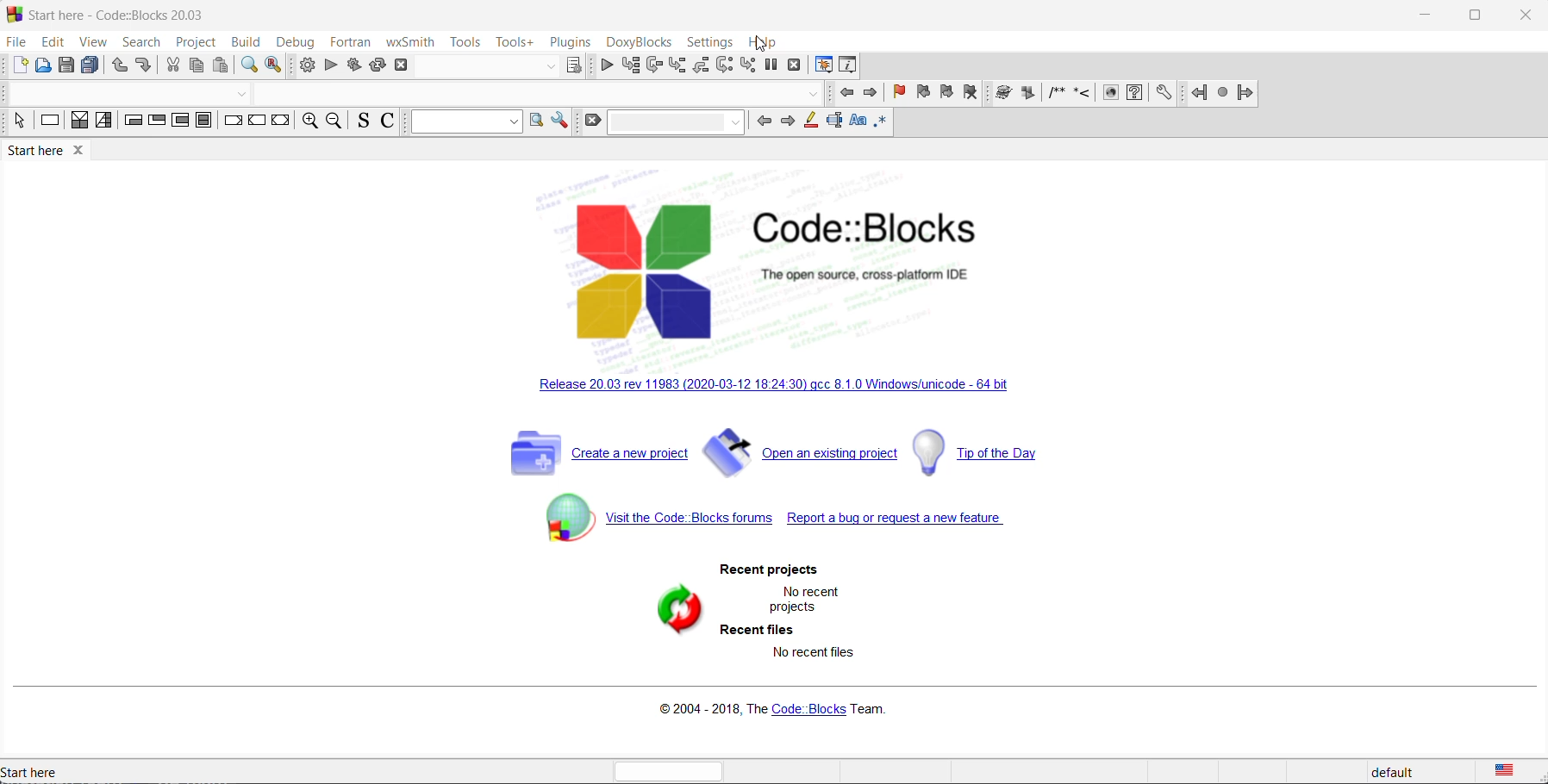 The image size is (1548, 784). What do you see at coordinates (1478, 14) in the screenshot?
I see `maximize` at bounding box center [1478, 14].